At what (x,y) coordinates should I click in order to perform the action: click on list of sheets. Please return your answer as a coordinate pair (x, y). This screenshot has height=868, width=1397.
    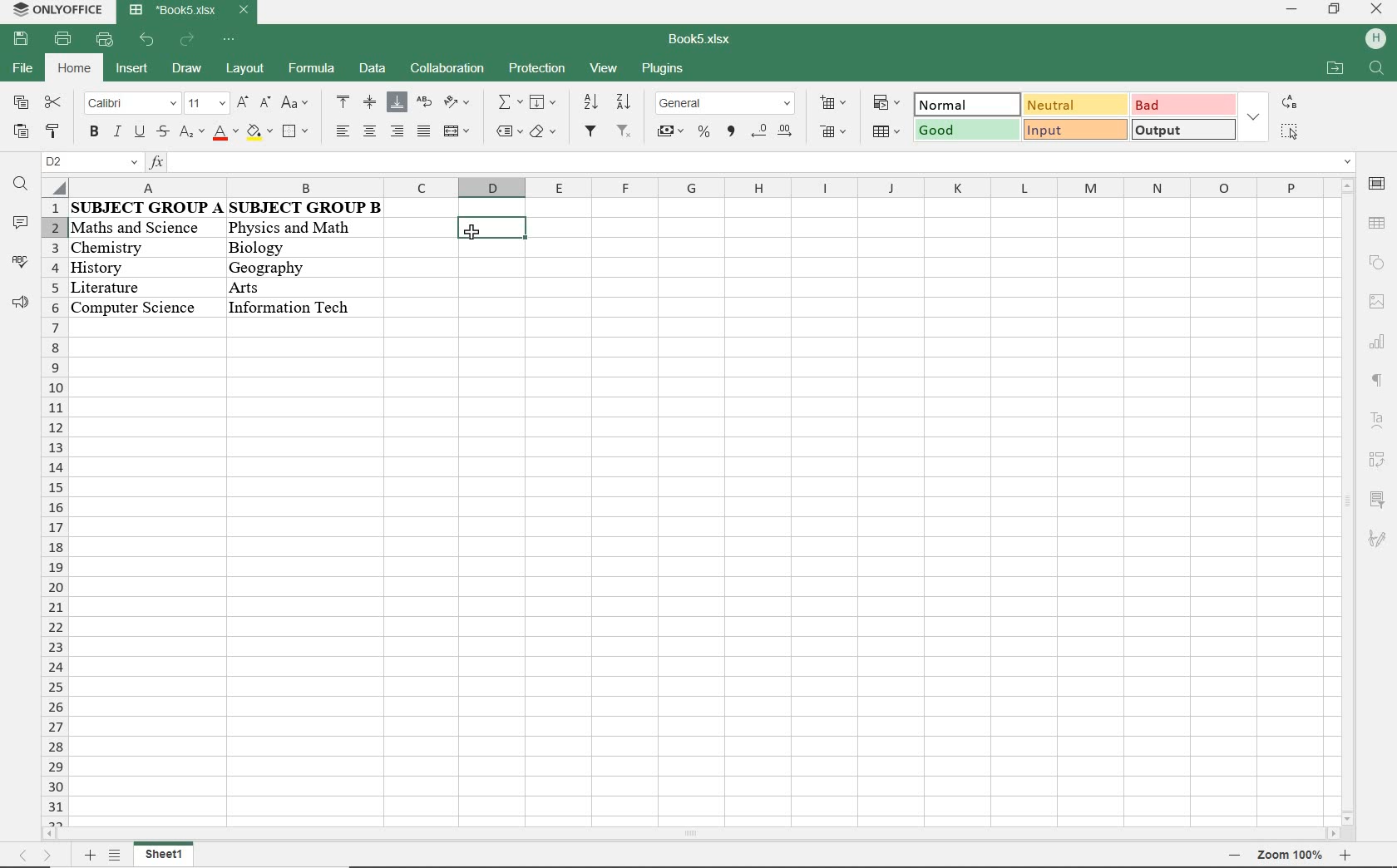
    Looking at the image, I should click on (116, 856).